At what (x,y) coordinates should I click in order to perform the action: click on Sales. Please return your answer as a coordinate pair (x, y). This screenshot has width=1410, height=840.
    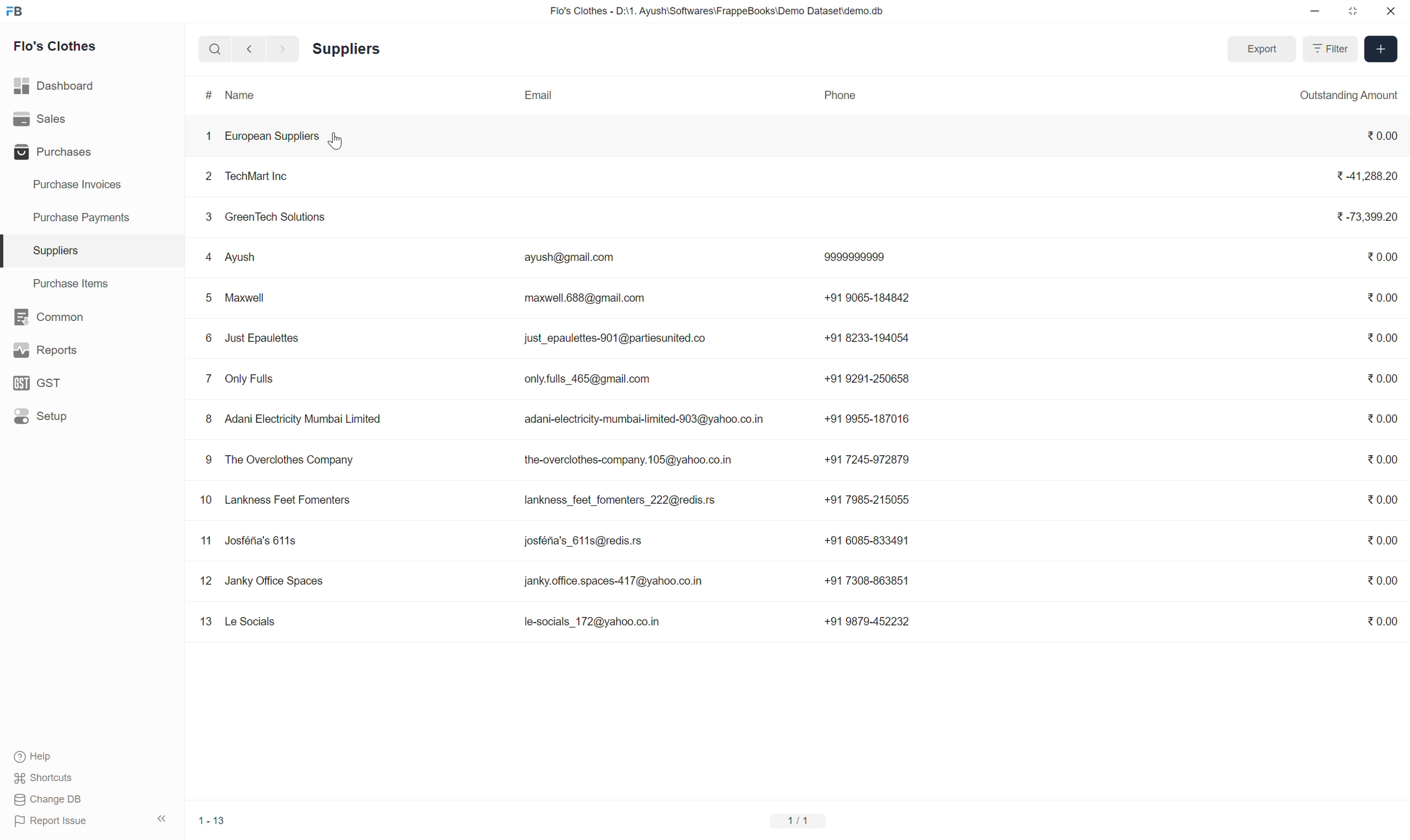
    Looking at the image, I should click on (41, 115).